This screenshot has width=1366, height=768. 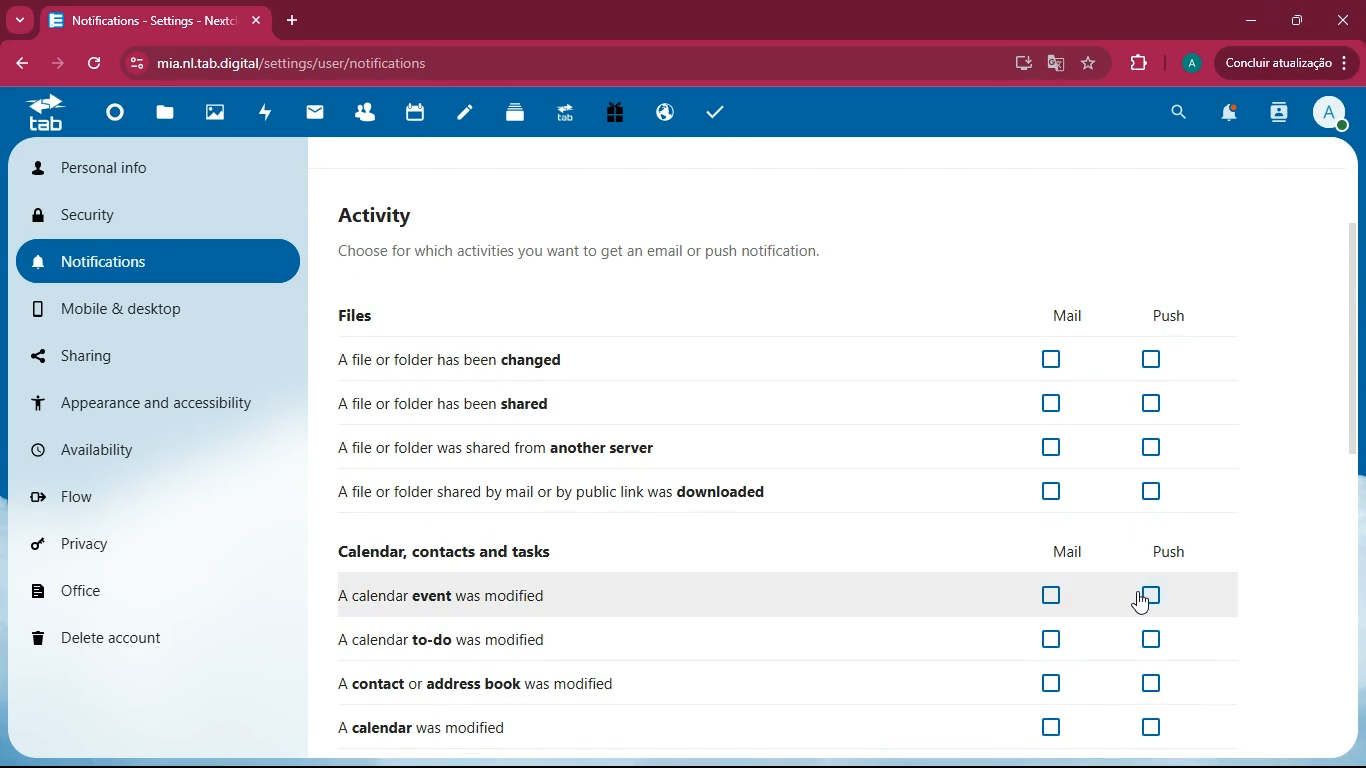 I want to click on Notifications - Settings - Nextcloud, so click(x=156, y=19).